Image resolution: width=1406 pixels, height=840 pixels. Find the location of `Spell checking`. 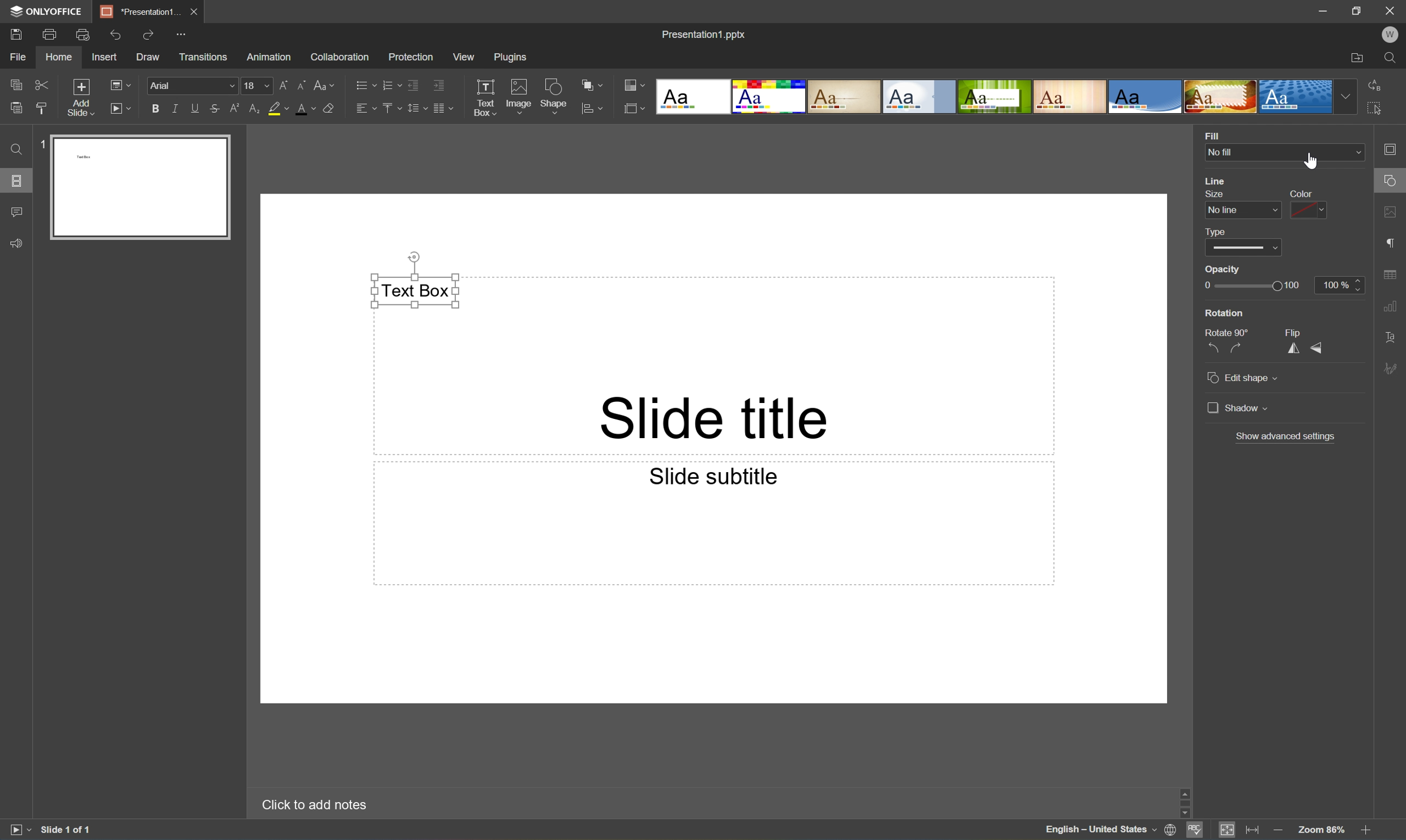

Spell checking is located at coordinates (1194, 832).